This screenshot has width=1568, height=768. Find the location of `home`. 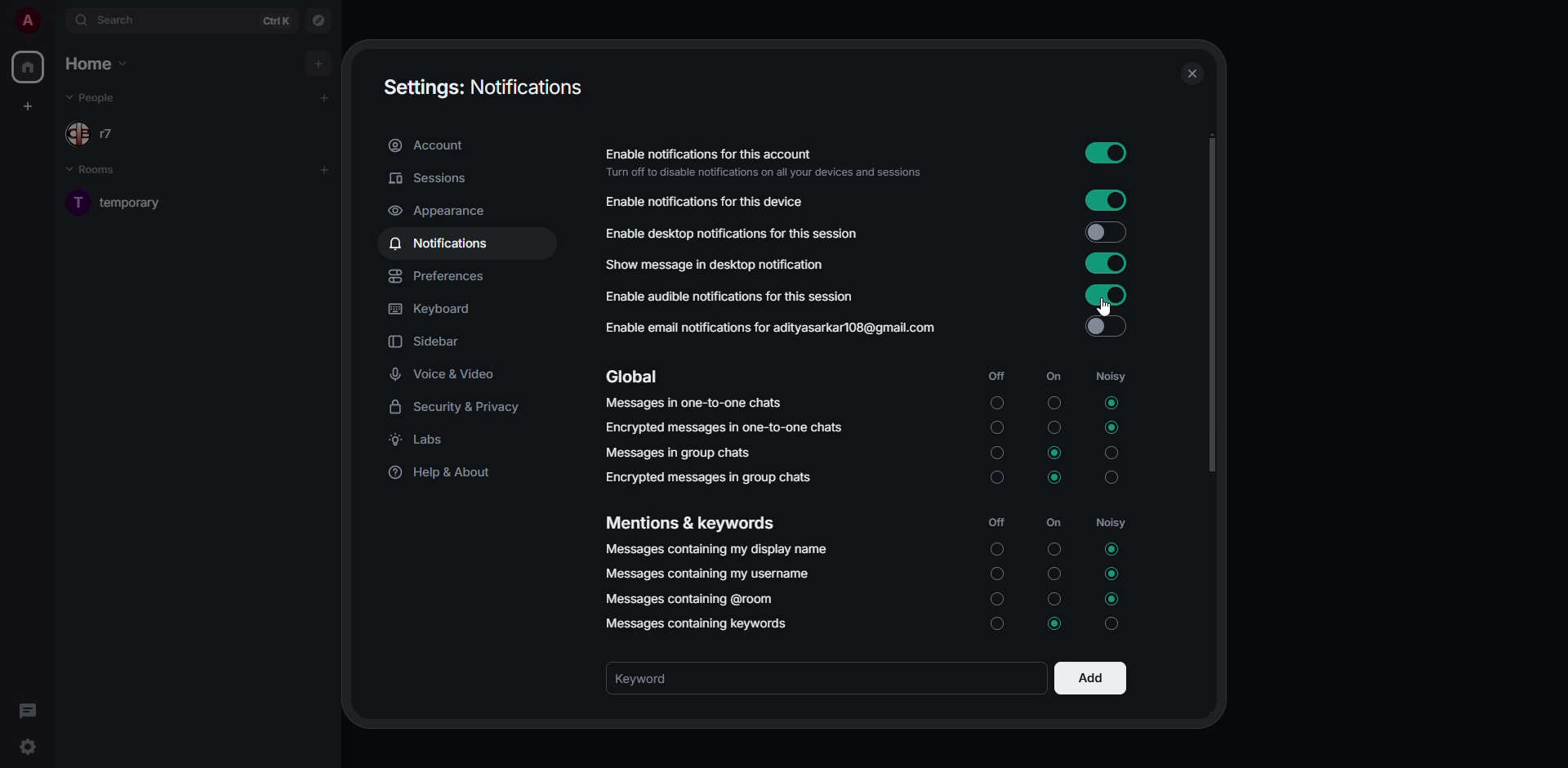

home is located at coordinates (29, 67).